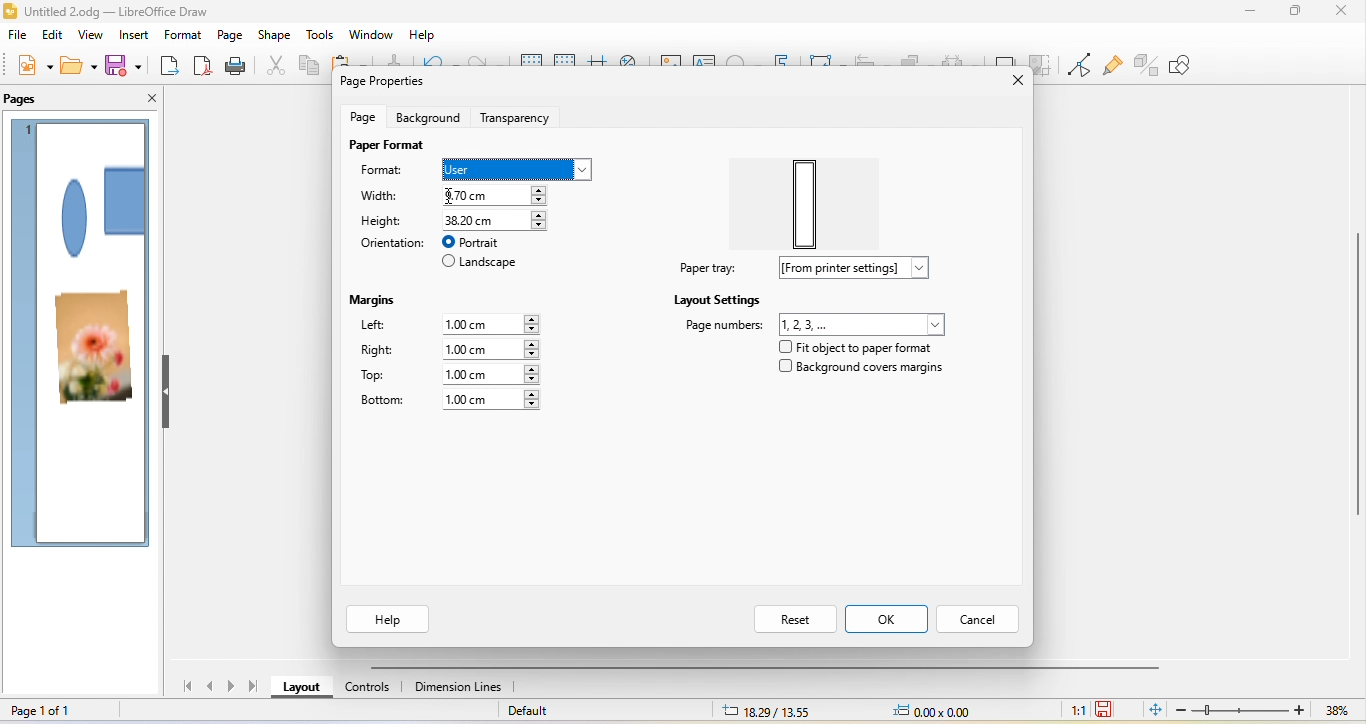 Image resolution: width=1366 pixels, height=724 pixels. Describe the element at coordinates (135, 37) in the screenshot. I see `insert` at that location.